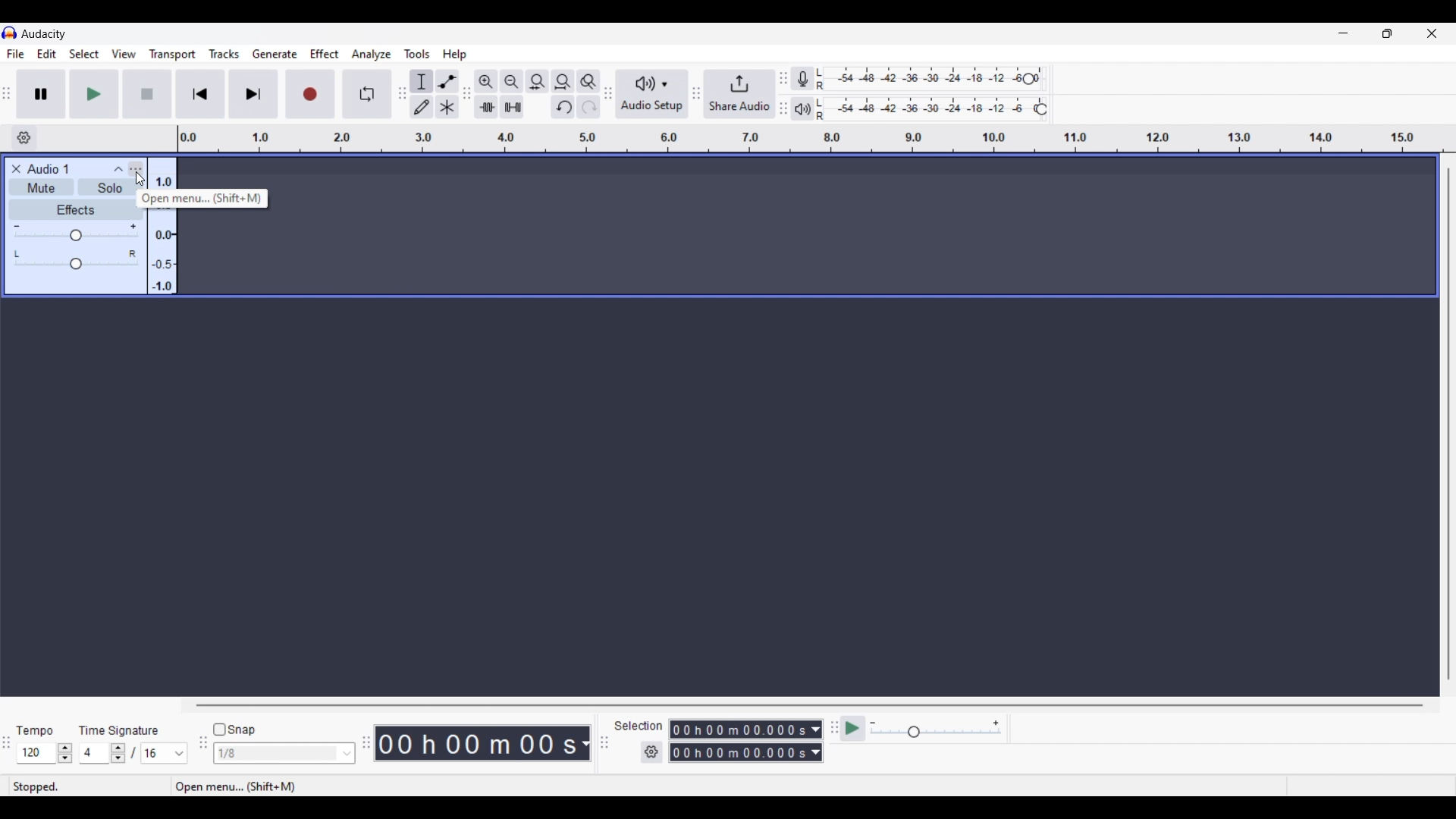 The height and width of the screenshot is (819, 1456). Describe the element at coordinates (537, 82) in the screenshot. I see `Fit selection to width` at that location.